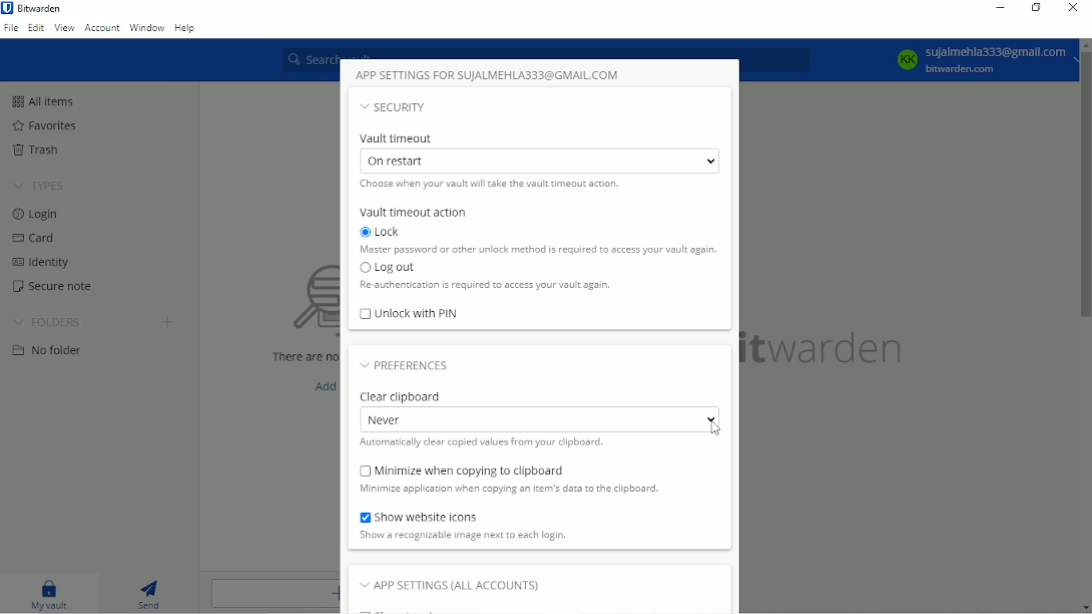 Image resolution: width=1092 pixels, height=614 pixels. What do you see at coordinates (1001, 8) in the screenshot?
I see `Minimize` at bounding box center [1001, 8].